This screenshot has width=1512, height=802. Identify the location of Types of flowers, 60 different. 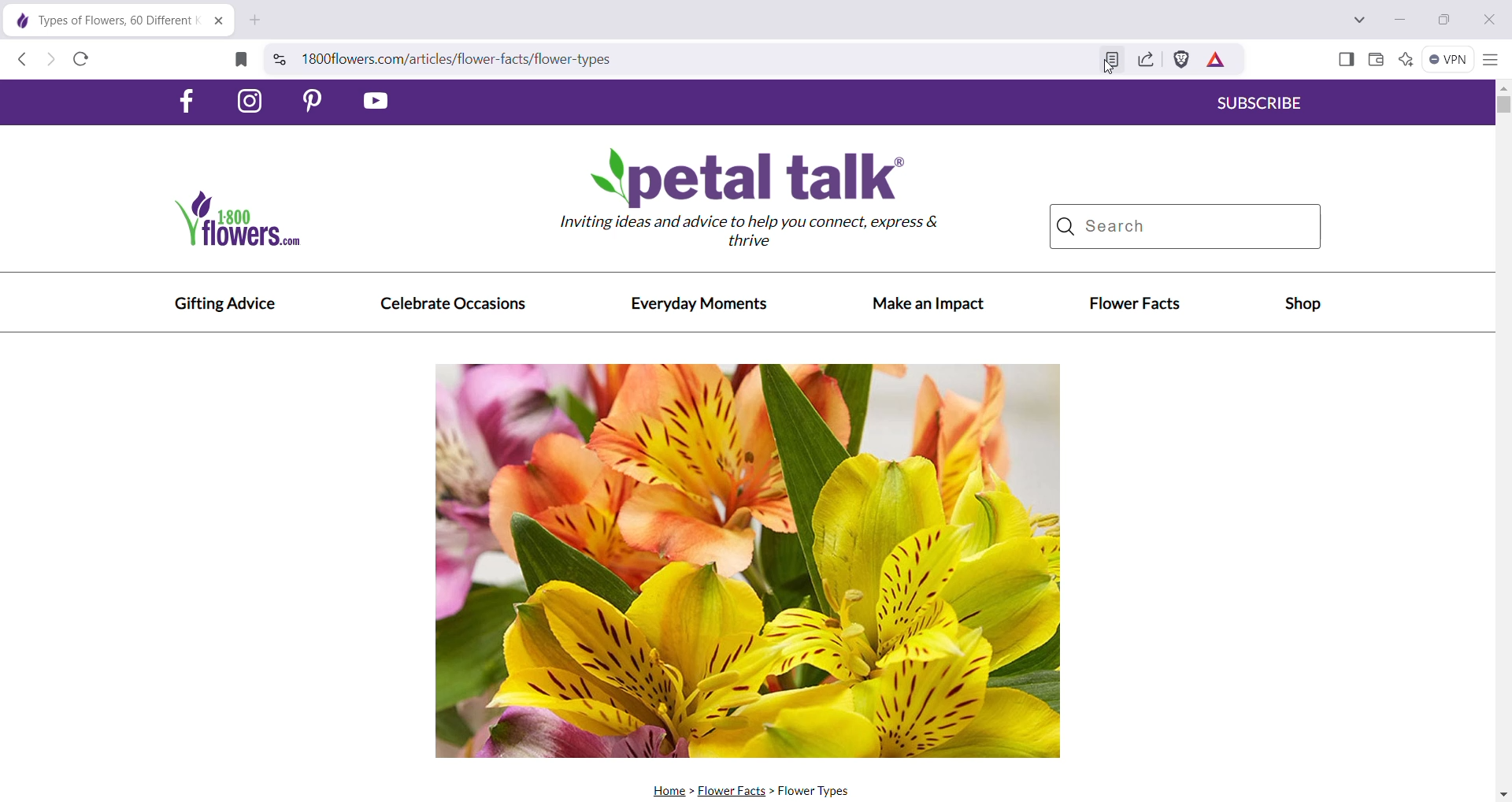
(100, 20).